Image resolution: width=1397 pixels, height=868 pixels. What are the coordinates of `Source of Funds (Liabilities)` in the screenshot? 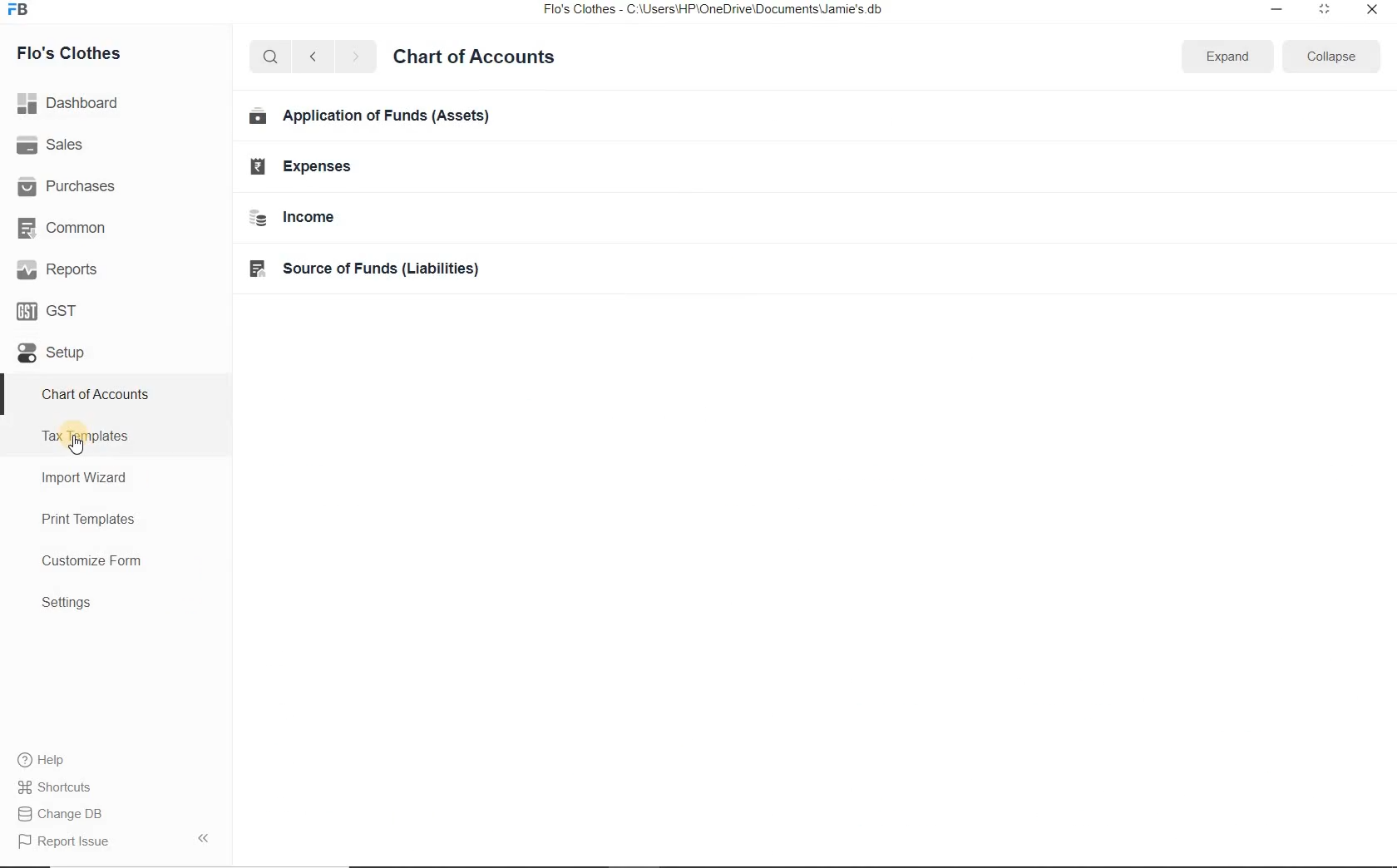 It's located at (397, 267).